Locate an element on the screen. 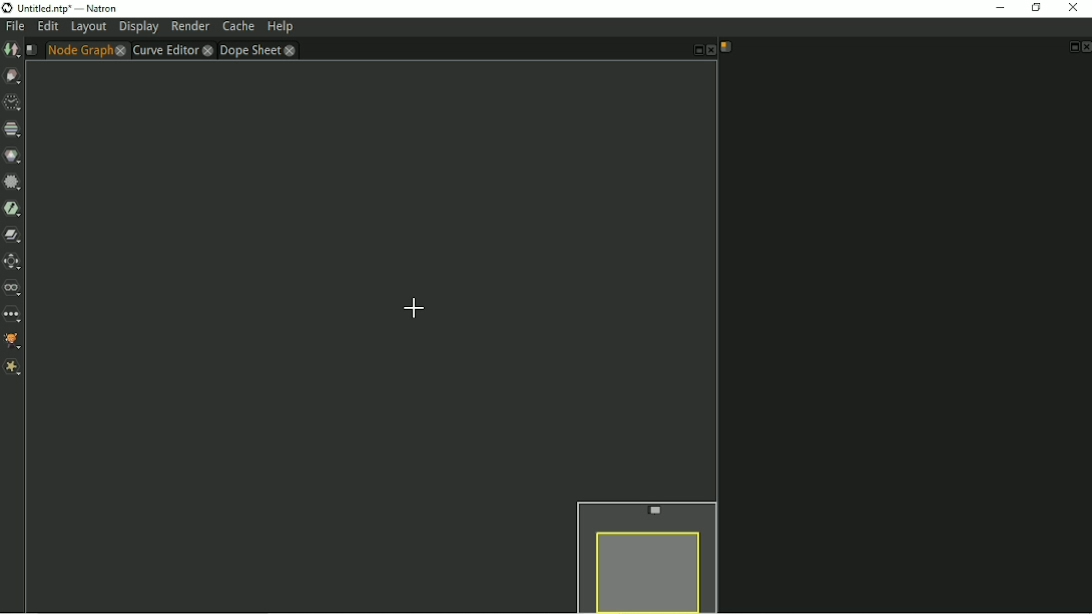  Script name is located at coordinates (31, 50).